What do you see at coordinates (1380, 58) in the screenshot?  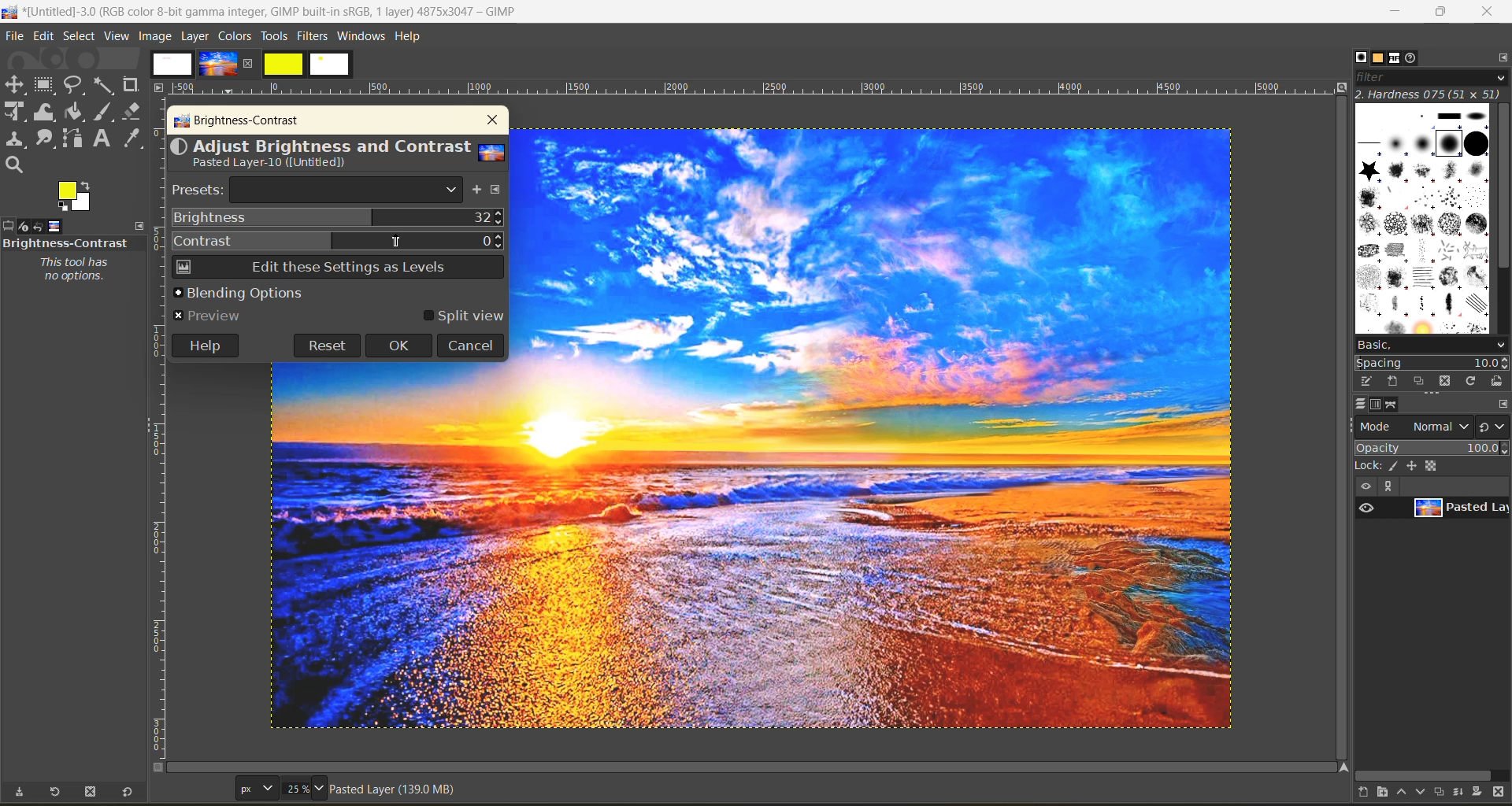 I see `patterns` at bounding box center [1380, 58].